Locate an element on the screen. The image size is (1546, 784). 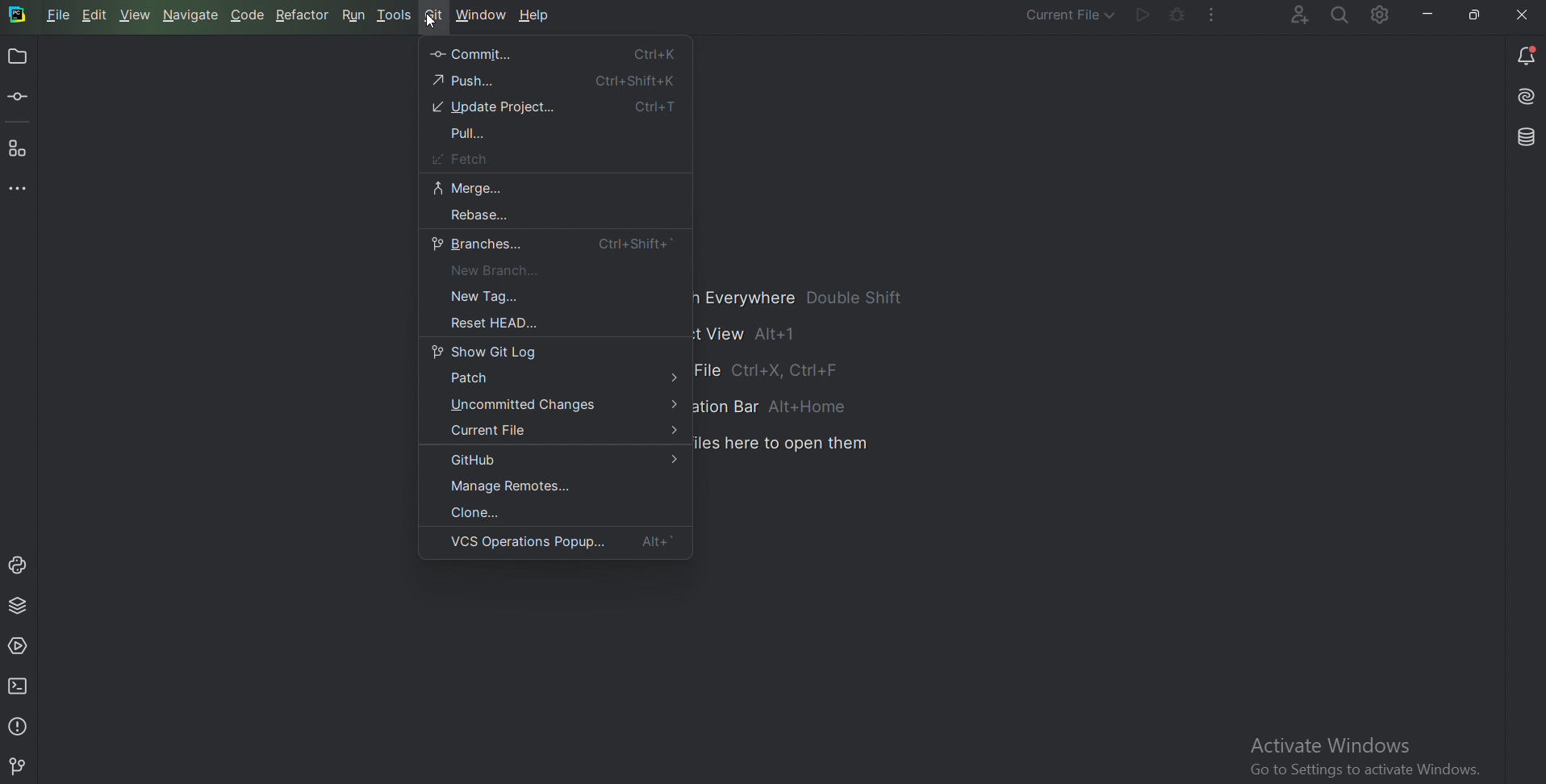
More actions is located at coordinates (1209, 17).